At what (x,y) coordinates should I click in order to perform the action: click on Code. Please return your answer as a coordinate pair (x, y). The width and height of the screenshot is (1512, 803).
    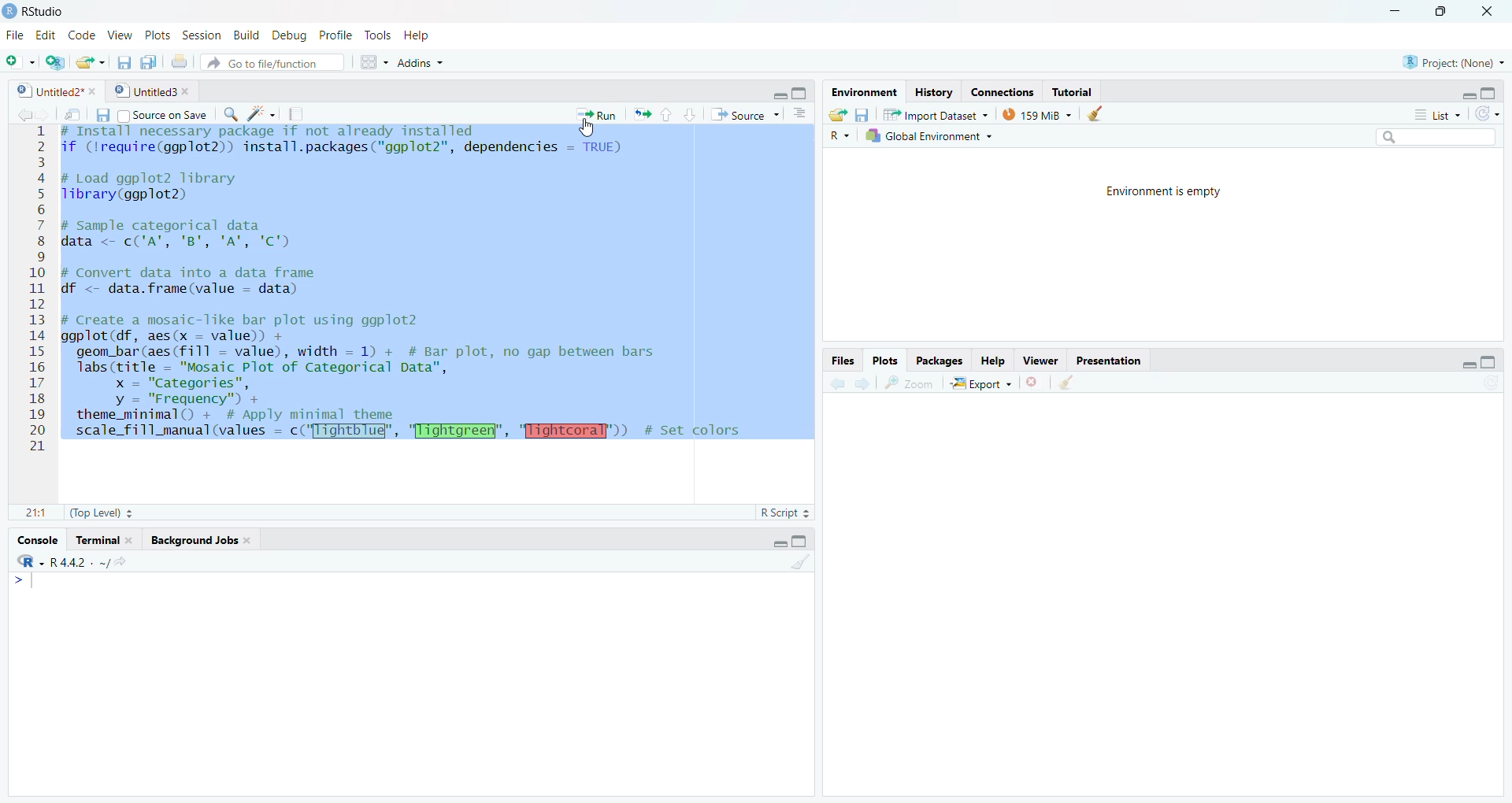
    Looking at the image, I should click on (80, 35).